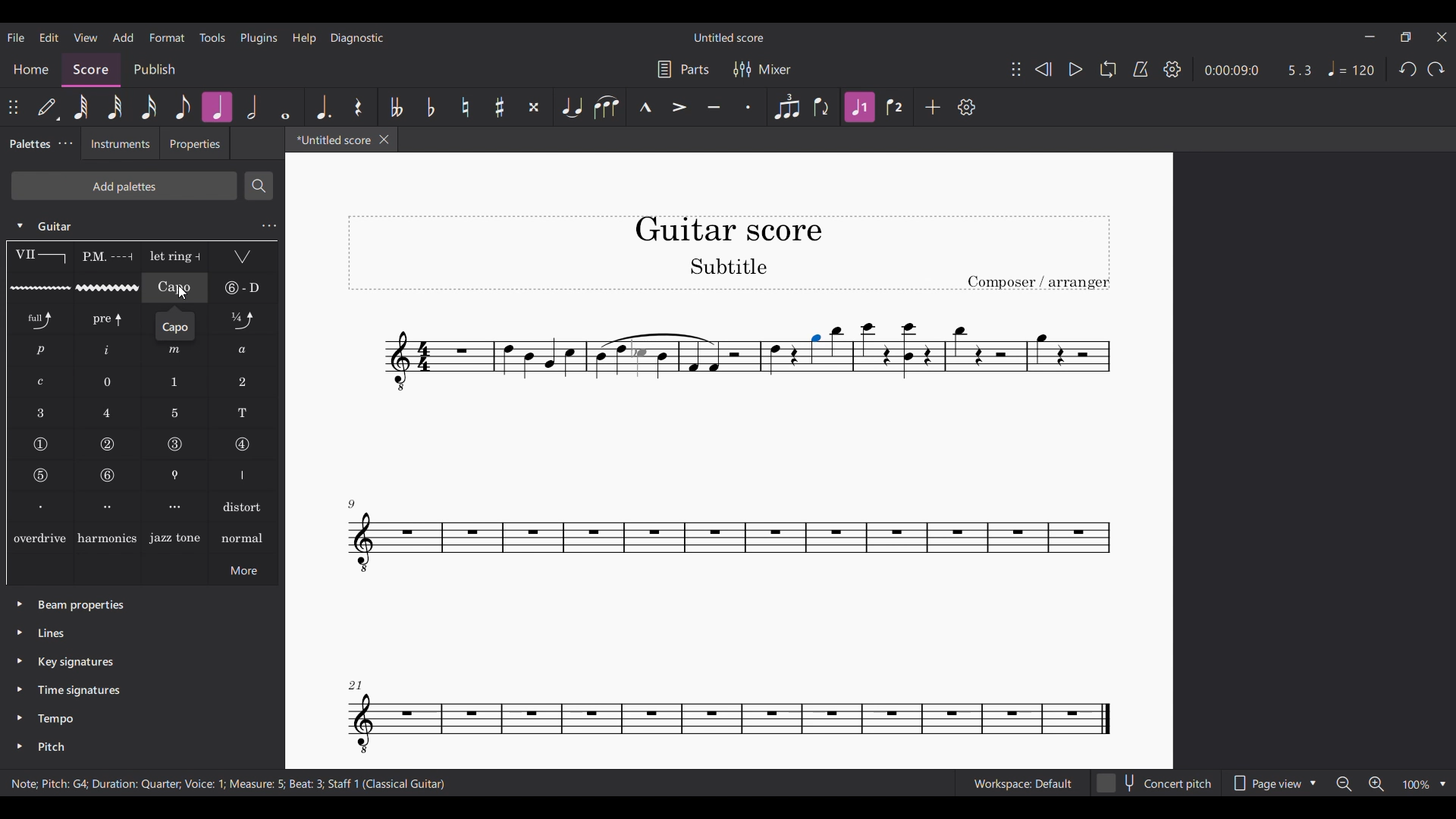  Describe the element at coordinates (357, 39) in the screenshot. I see `Diagnostic menu` at that location.